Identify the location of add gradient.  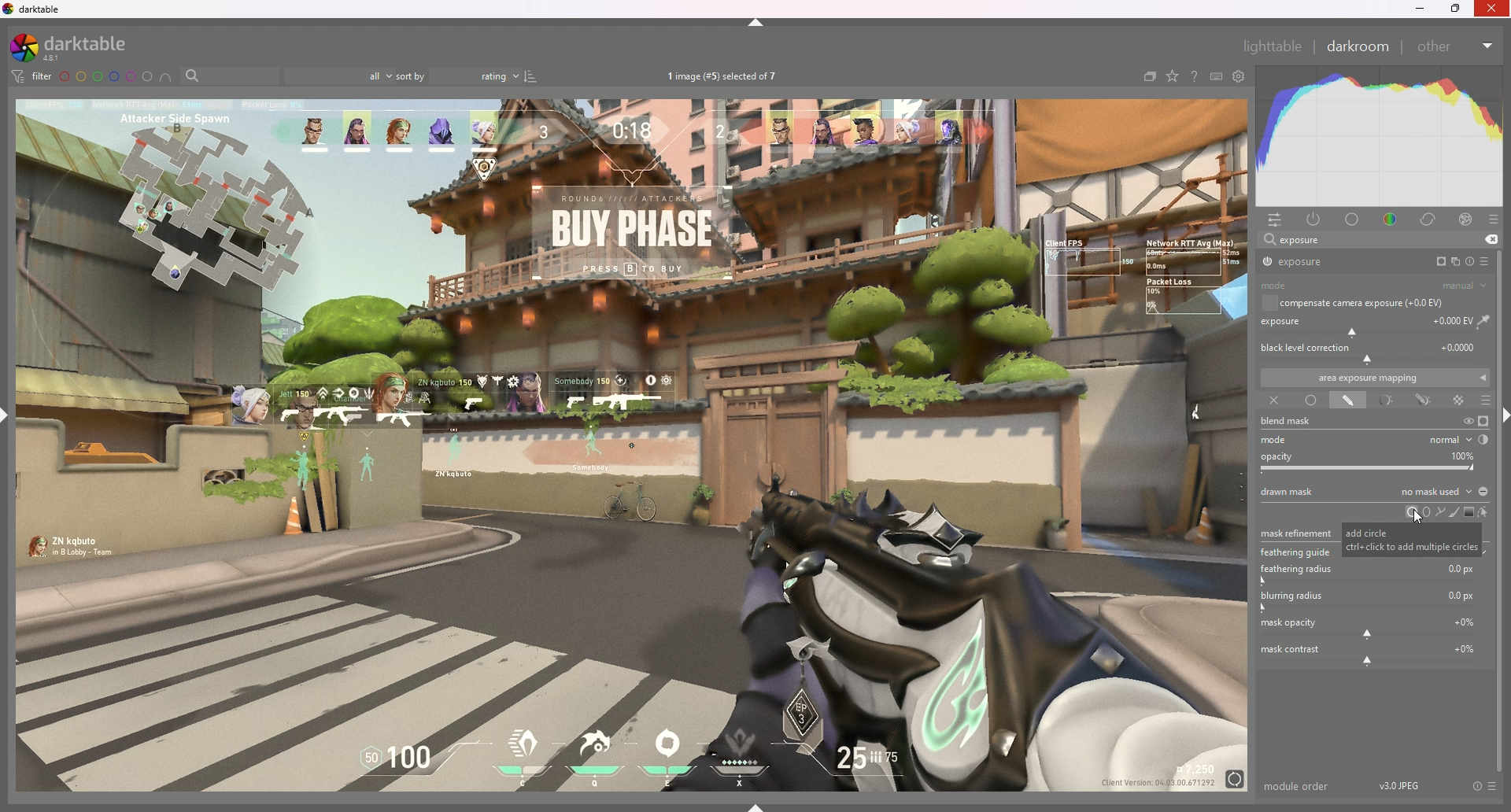
(1468, 511).